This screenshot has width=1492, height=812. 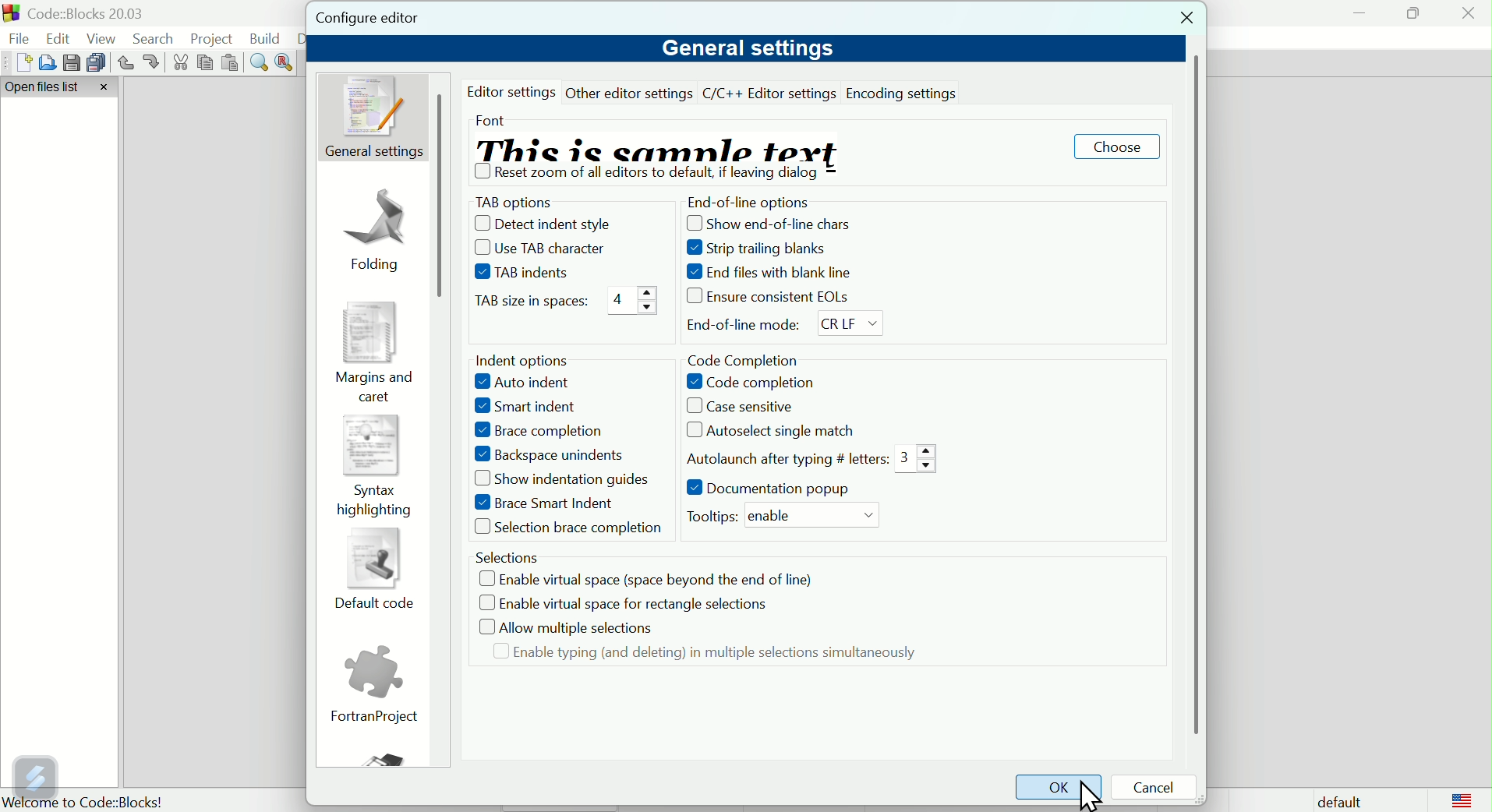 What do you see at coordinates (260, 63) in the screenshot?
I see `Find` at bounding box center [260, 63].